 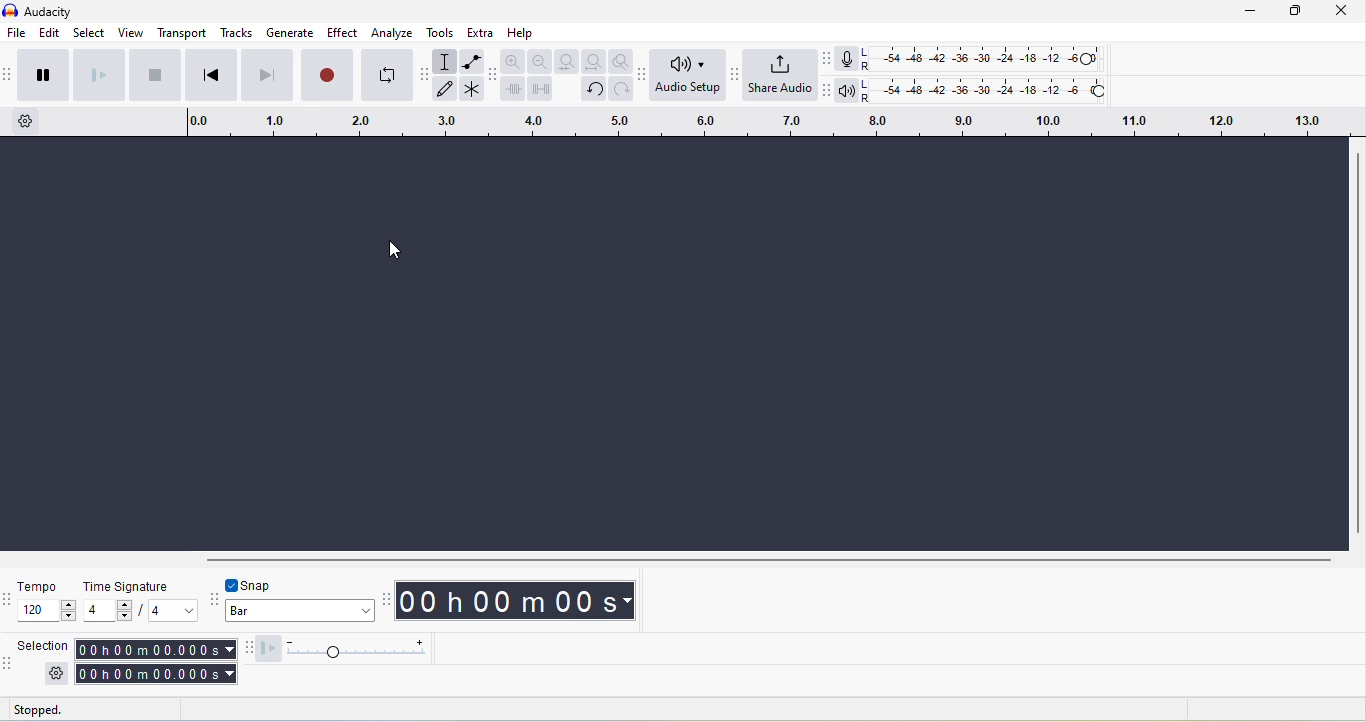 What do you see at coordinates (46, 661) in the screenshot?
I see `selection` at bounding box center [46, 661].